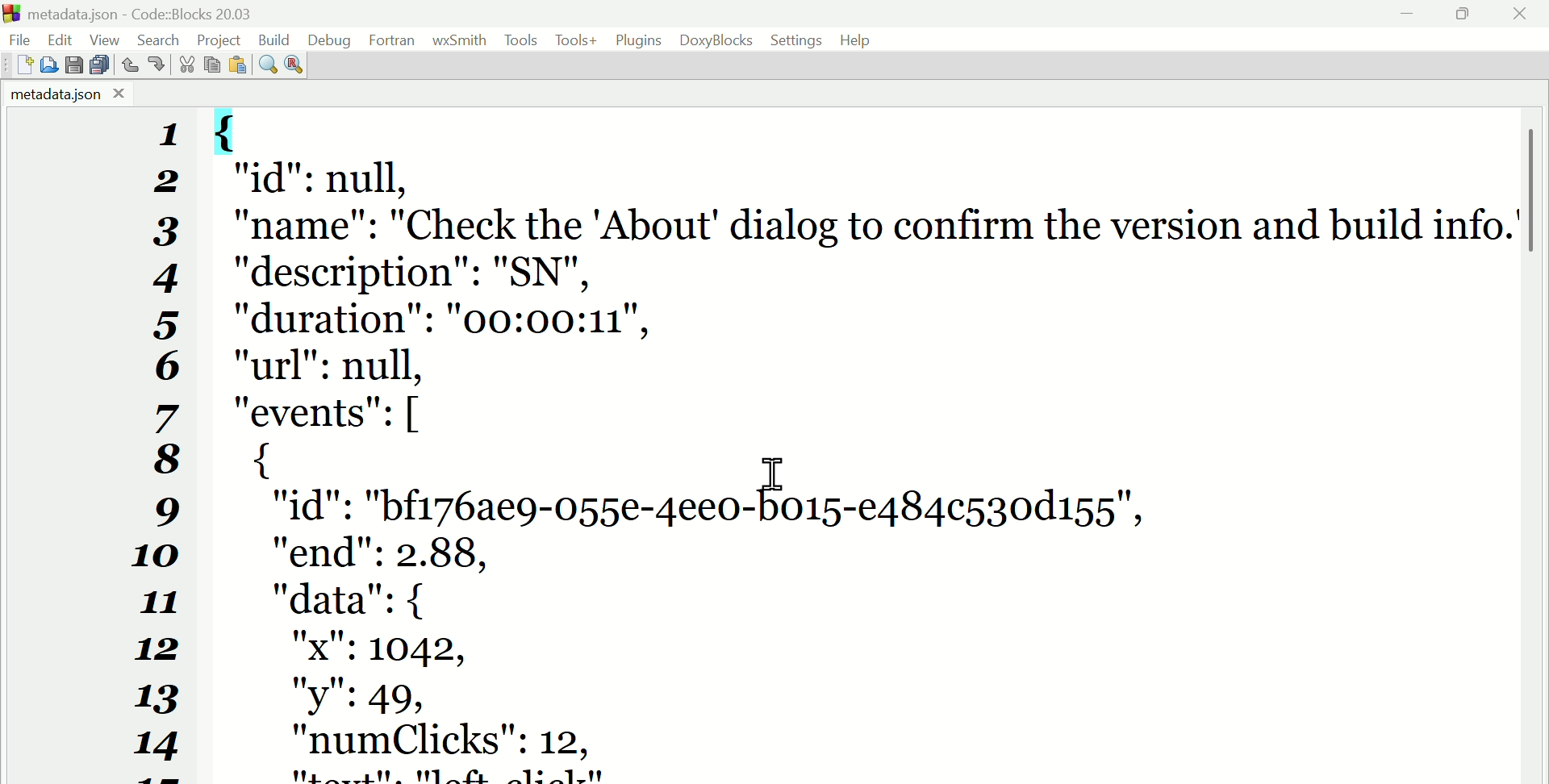  I want to click on Doxyblocks, so click(716, 39).